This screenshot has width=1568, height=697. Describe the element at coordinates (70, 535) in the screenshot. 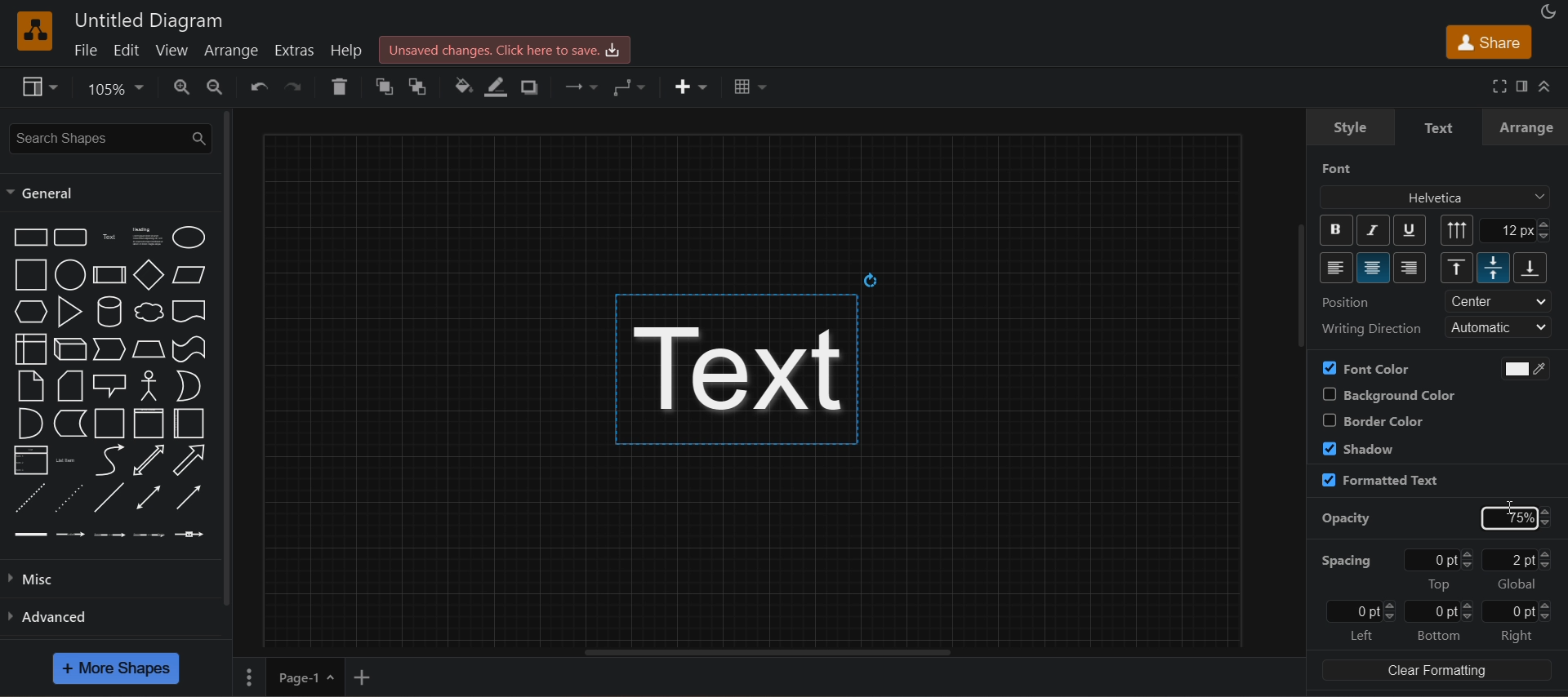

I see `connector with label` at that location.